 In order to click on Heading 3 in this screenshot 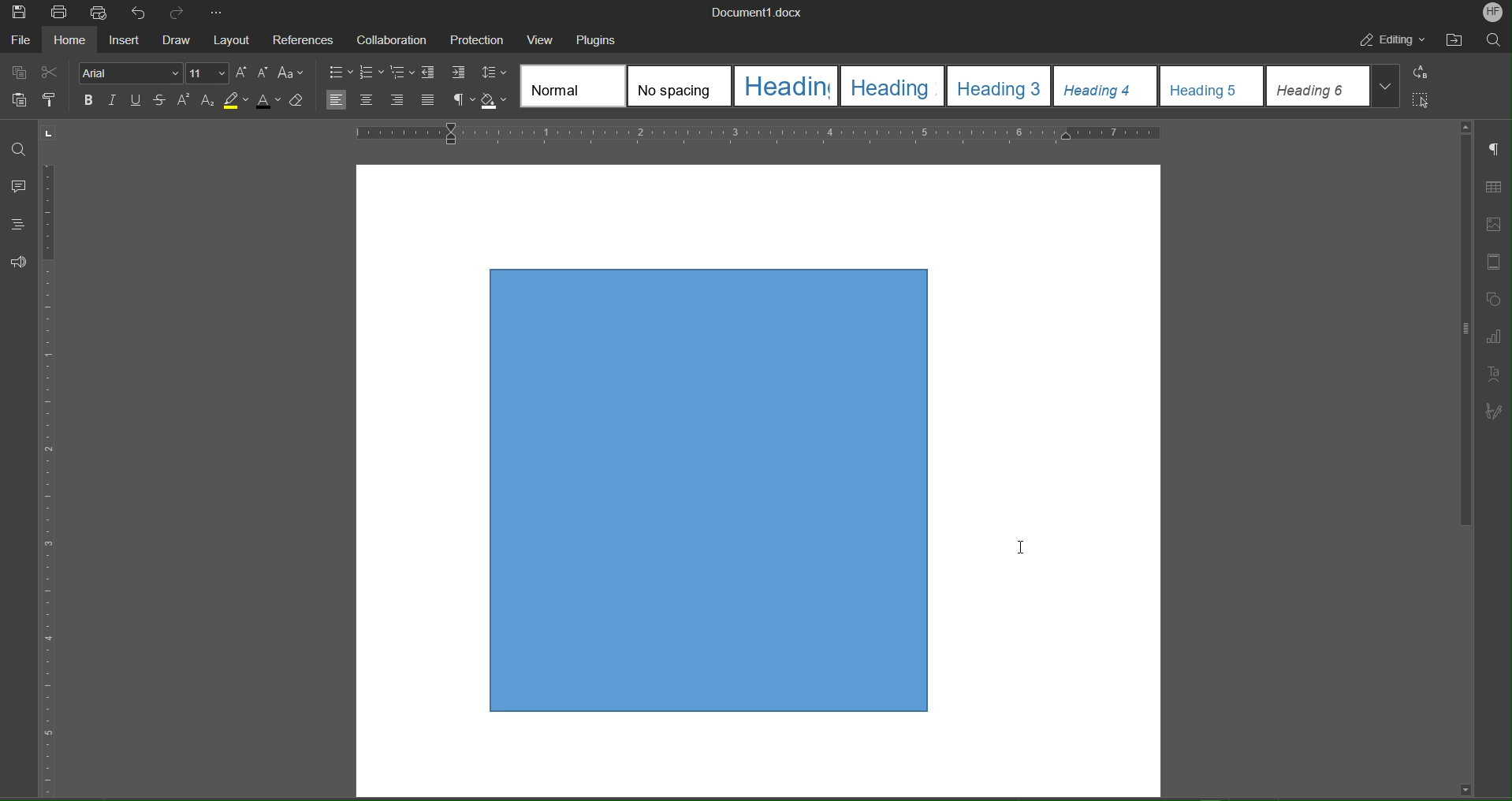, I will do `click(999, 86)`.